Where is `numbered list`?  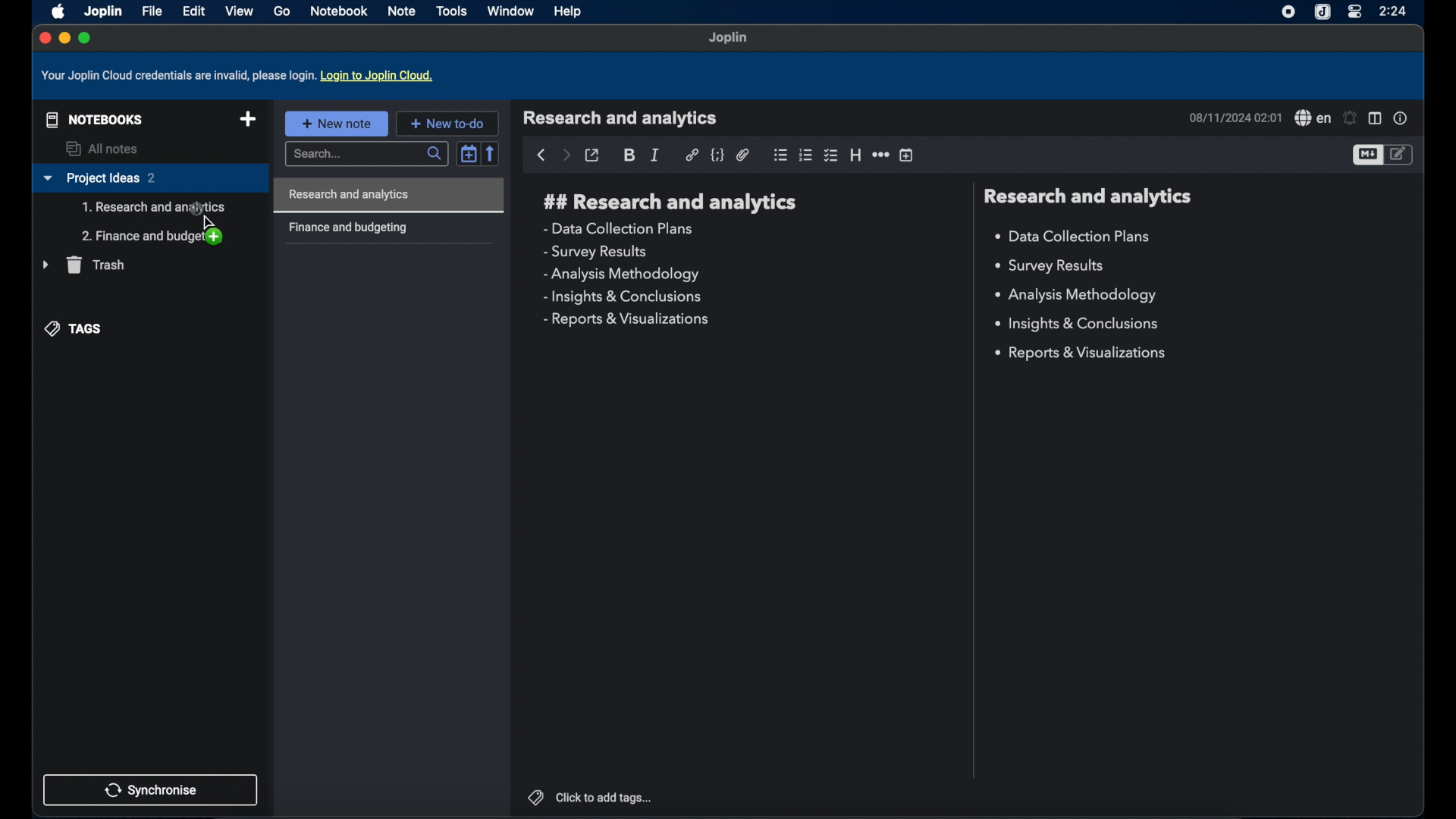
numbered list is located at coordinates (806, 155).